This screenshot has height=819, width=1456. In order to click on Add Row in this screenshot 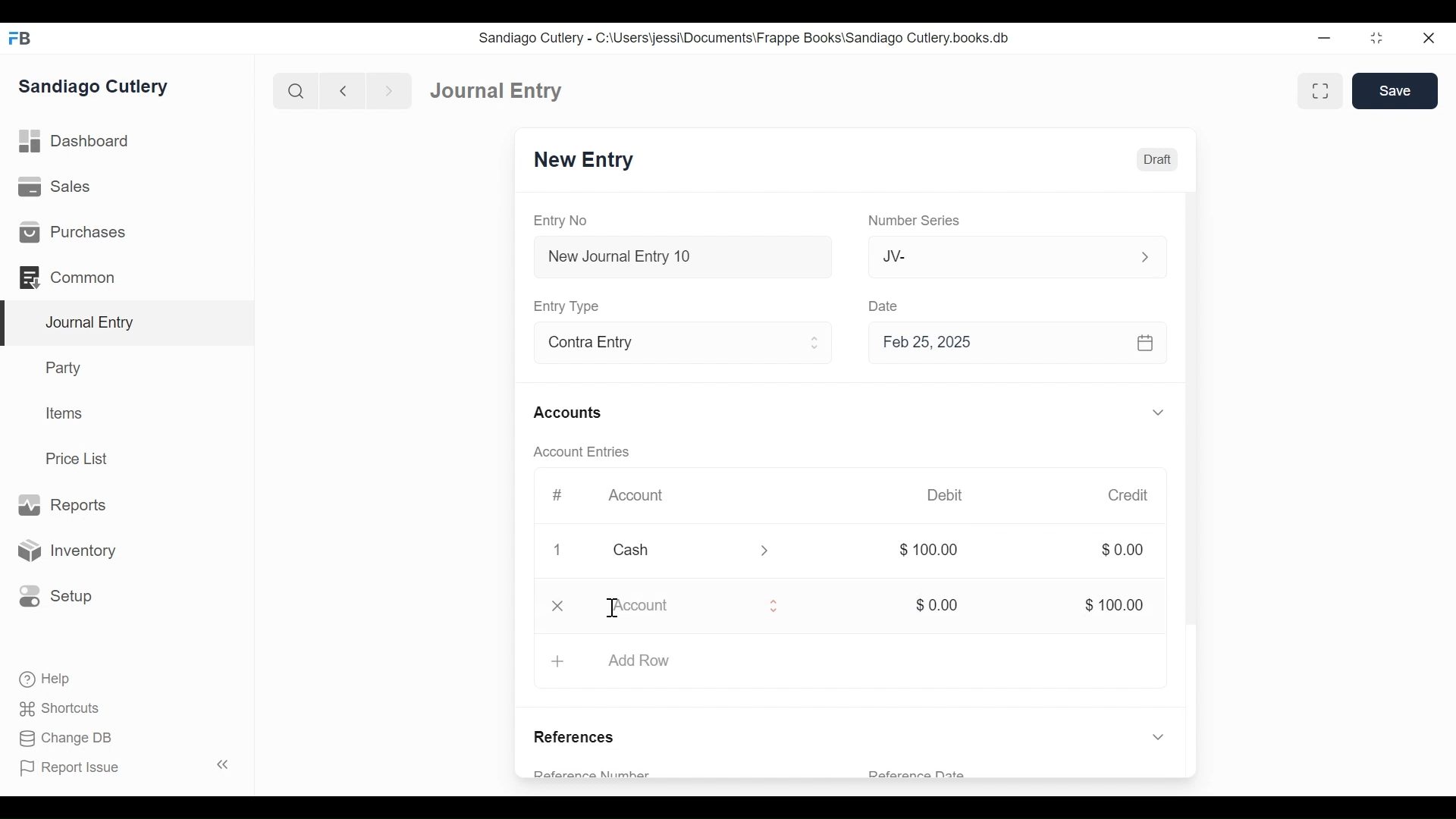, I will do `click(647, 658)`.